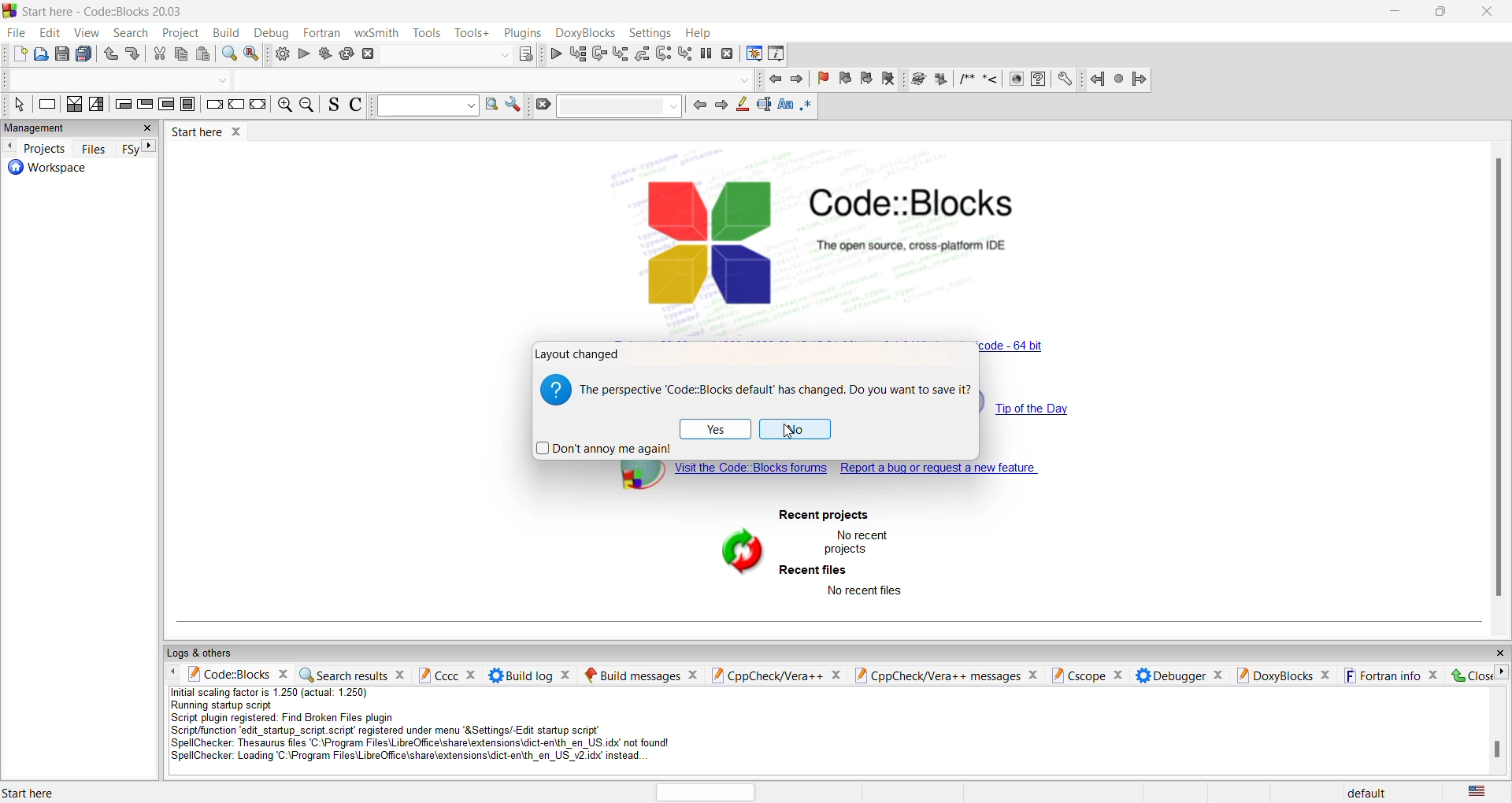  What do you see at coordinates (917, 79) in the screenshot?
I see `build` at bounding box center [917, 79].